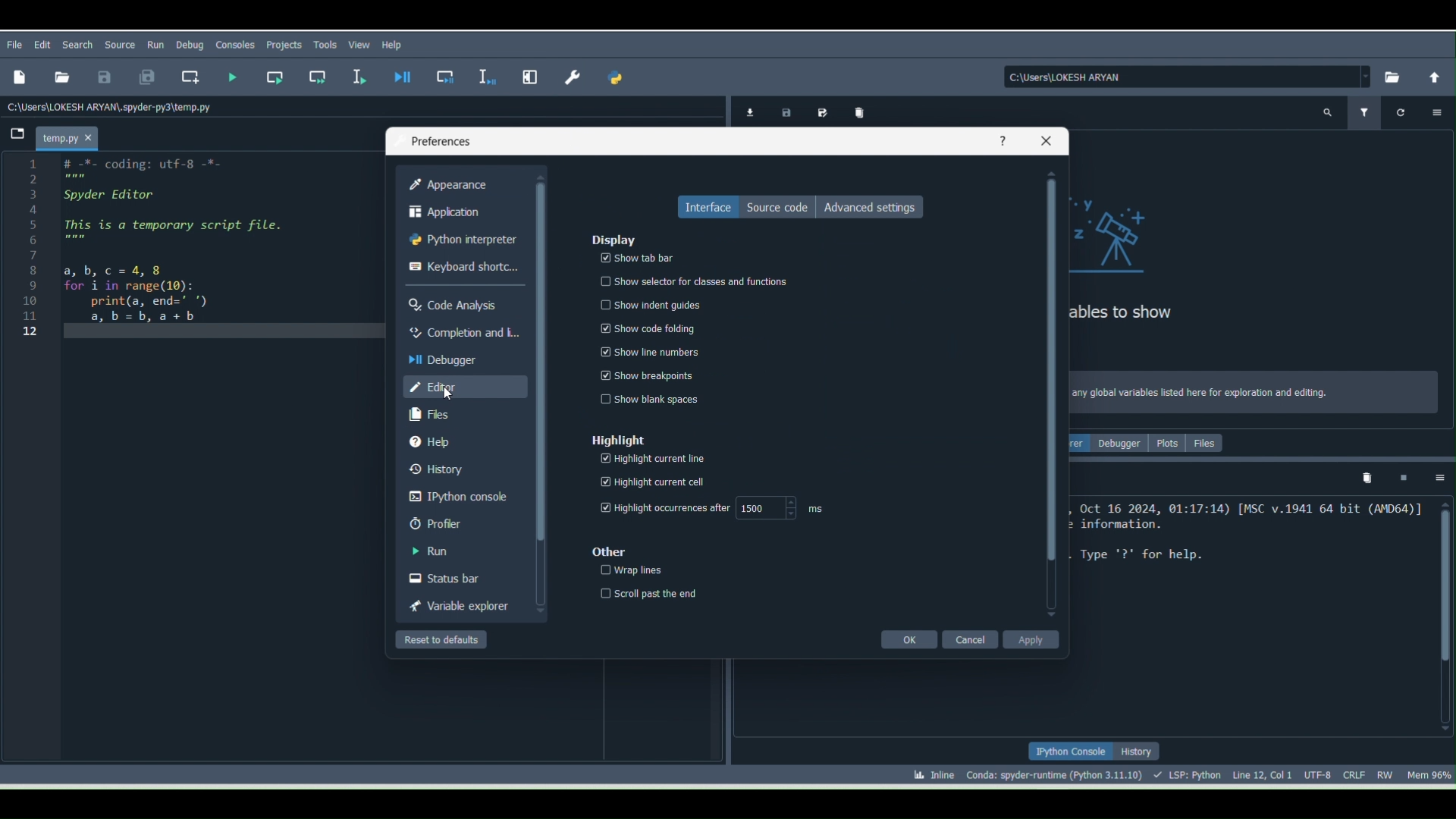  I want to click on more options, so click(1434, 111).